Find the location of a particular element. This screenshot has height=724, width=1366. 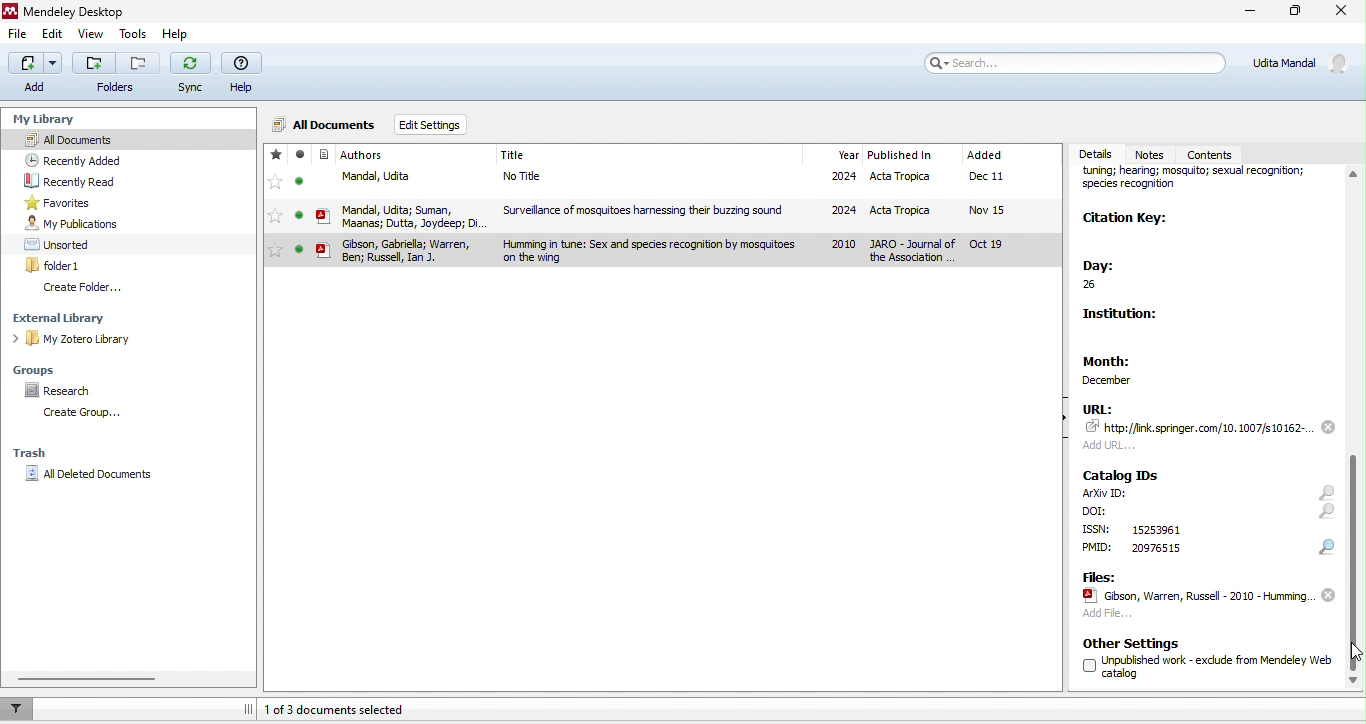

help is located at coordinates (245, 74).